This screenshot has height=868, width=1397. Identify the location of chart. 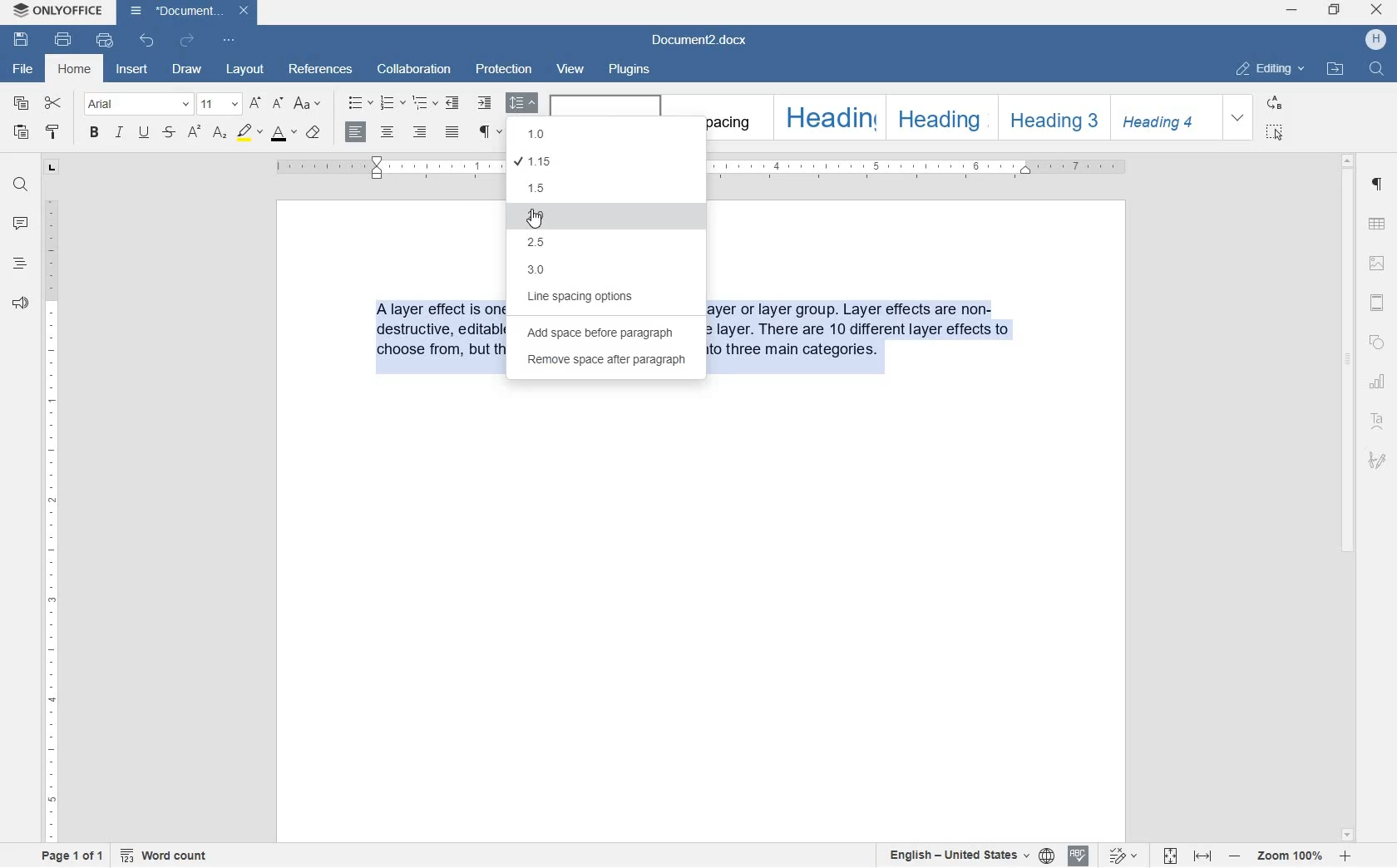
(1379, 382).